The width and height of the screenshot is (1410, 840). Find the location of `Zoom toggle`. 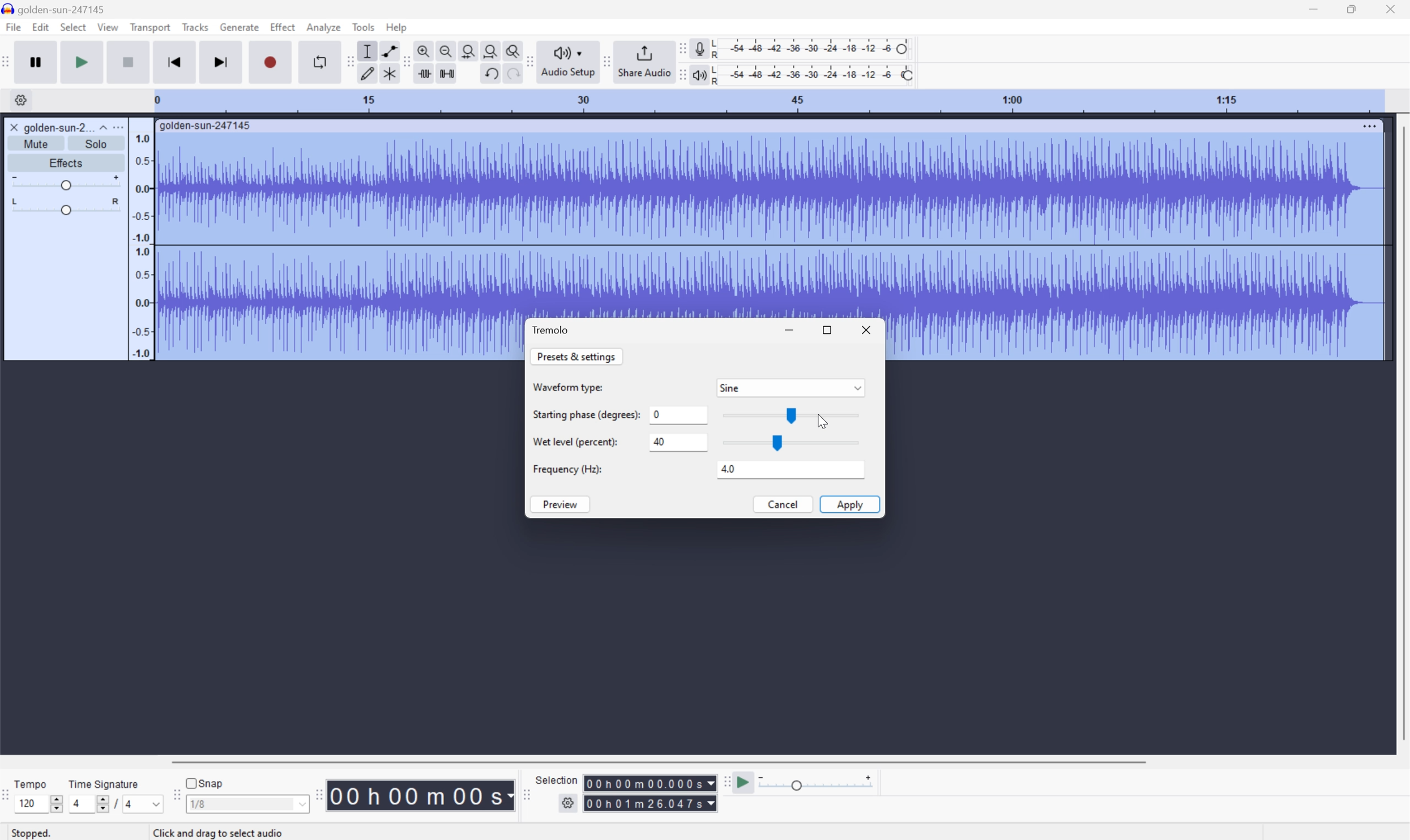

Zoom toggle is located at coordinates (510, 50).